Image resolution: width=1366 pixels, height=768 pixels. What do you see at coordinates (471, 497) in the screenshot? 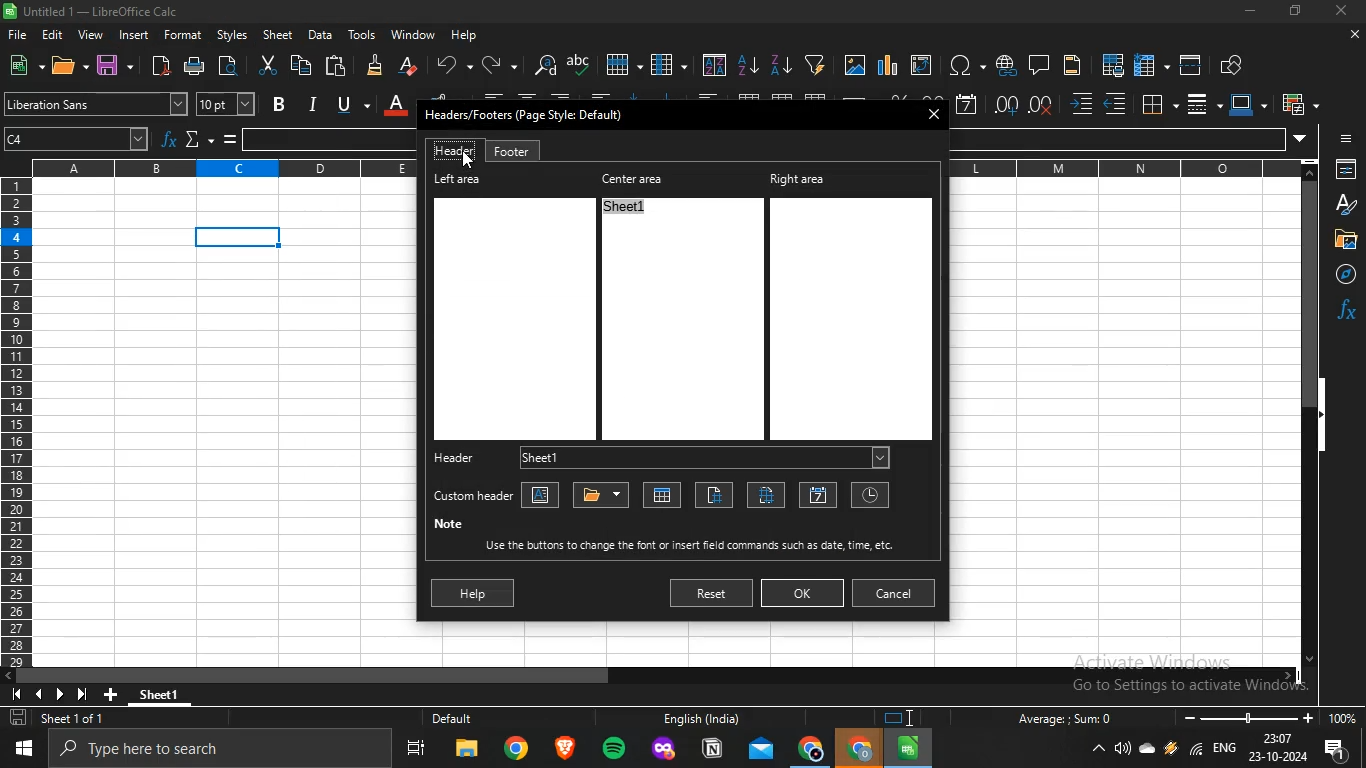
I see `custom header` at bounding box center [471, 497].